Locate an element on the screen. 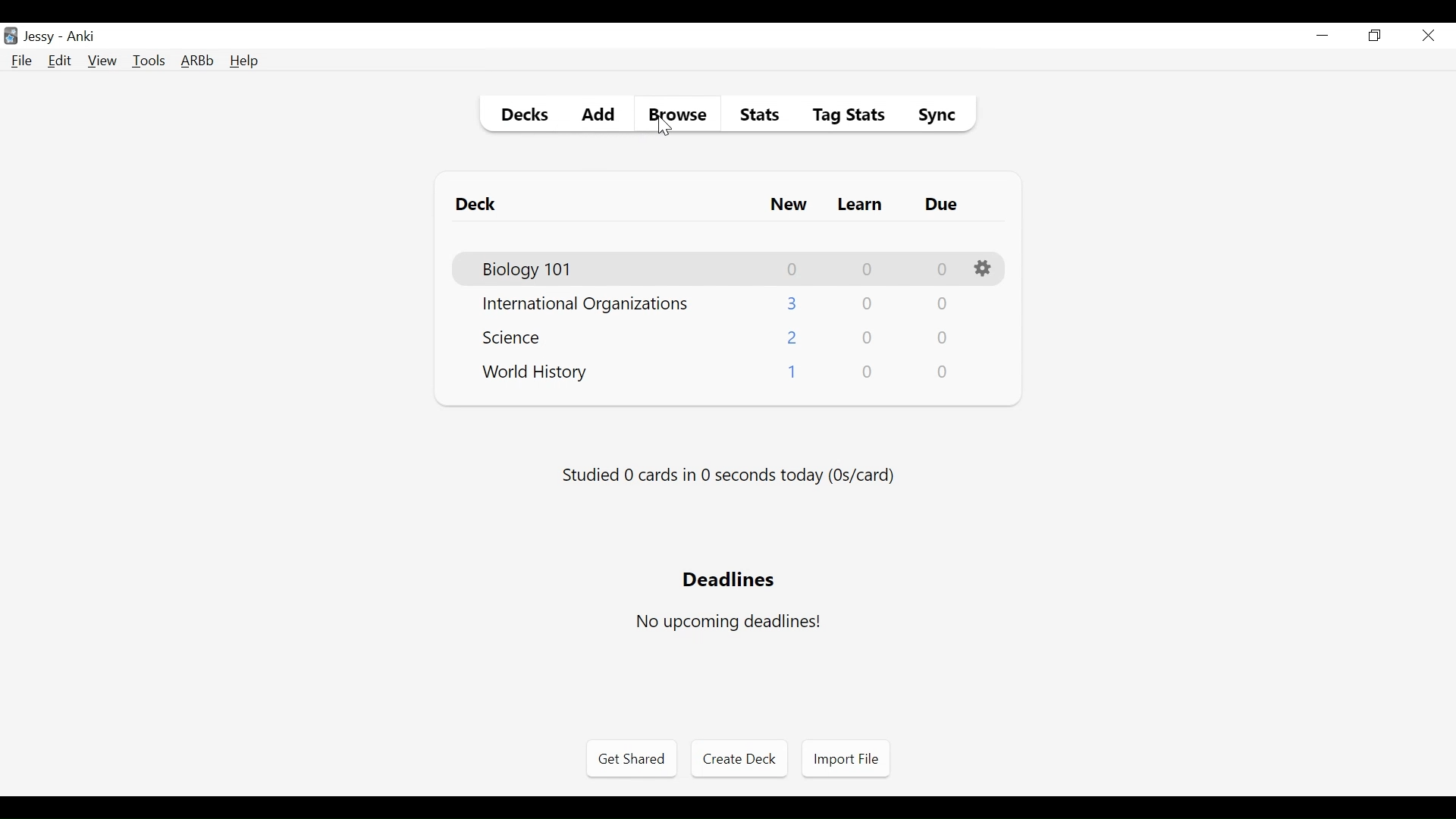  No upcoming deadlines is located at coordinates (727, 622).